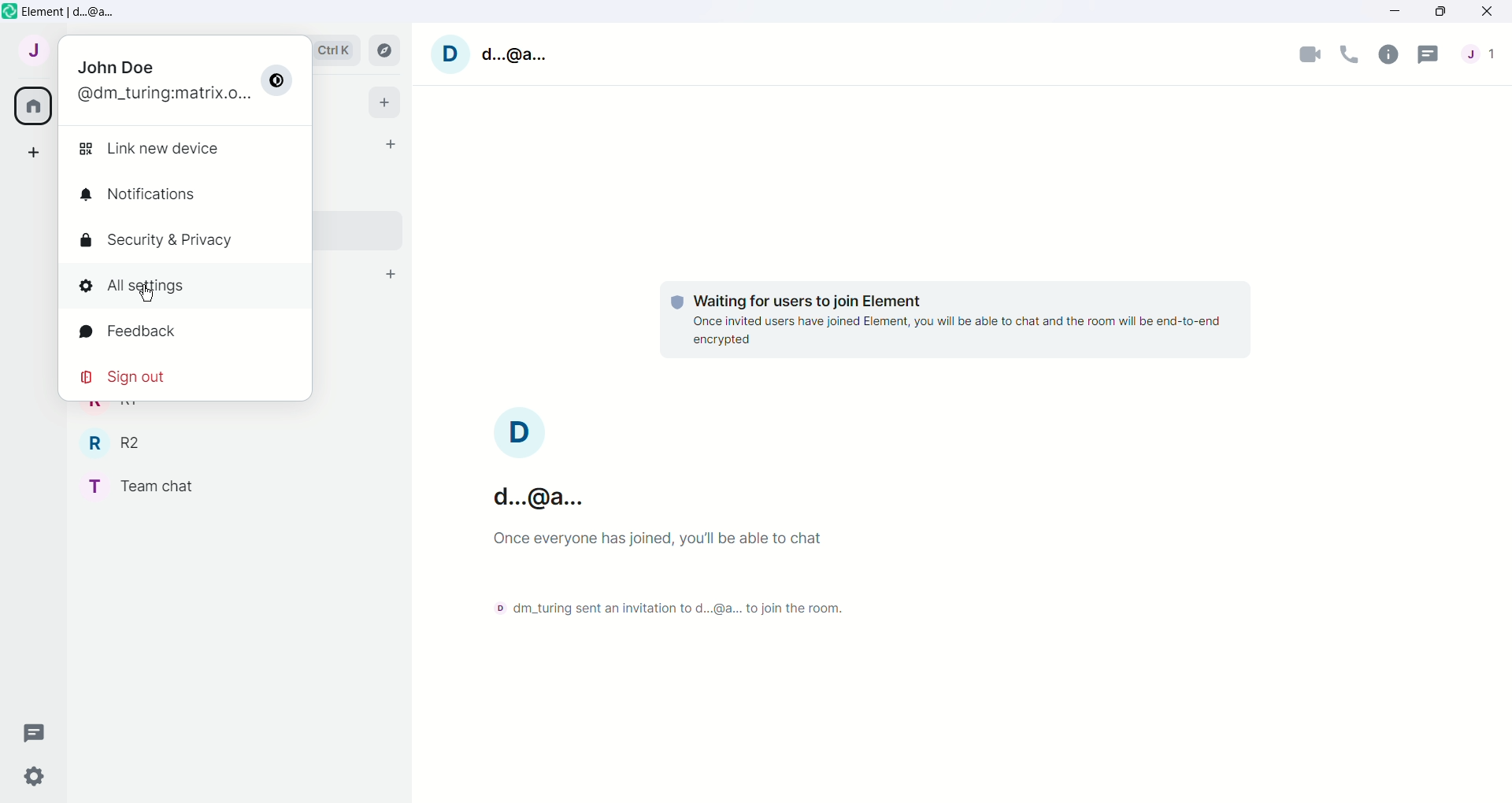 Image resolution: width=1512 pixels, height=803 pixels. Describe the element at coordinates (520, 432) in the screenshot. I see `Profile image` at that location.